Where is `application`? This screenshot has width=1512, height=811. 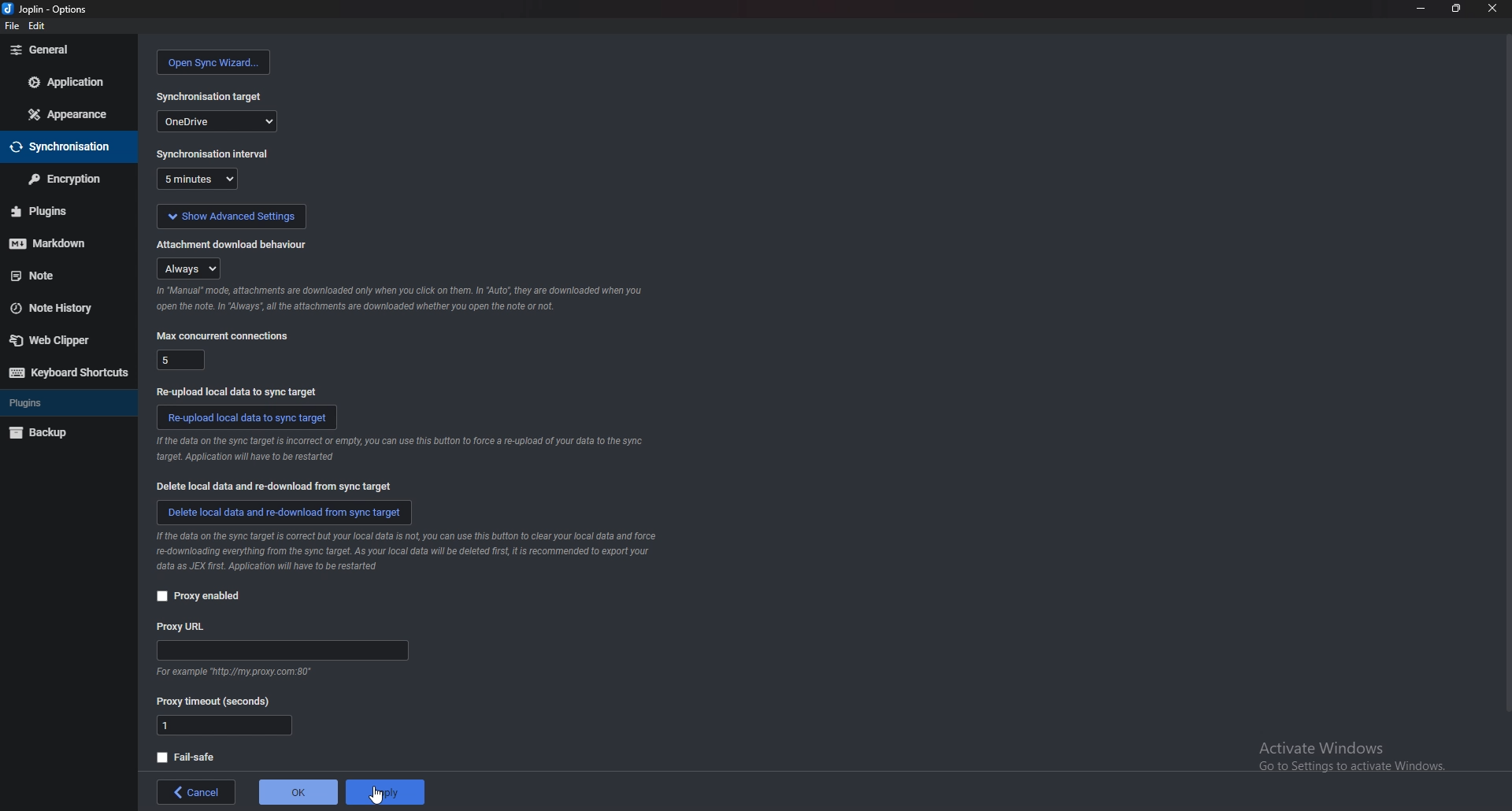 application is located at coordinates (66, 81).